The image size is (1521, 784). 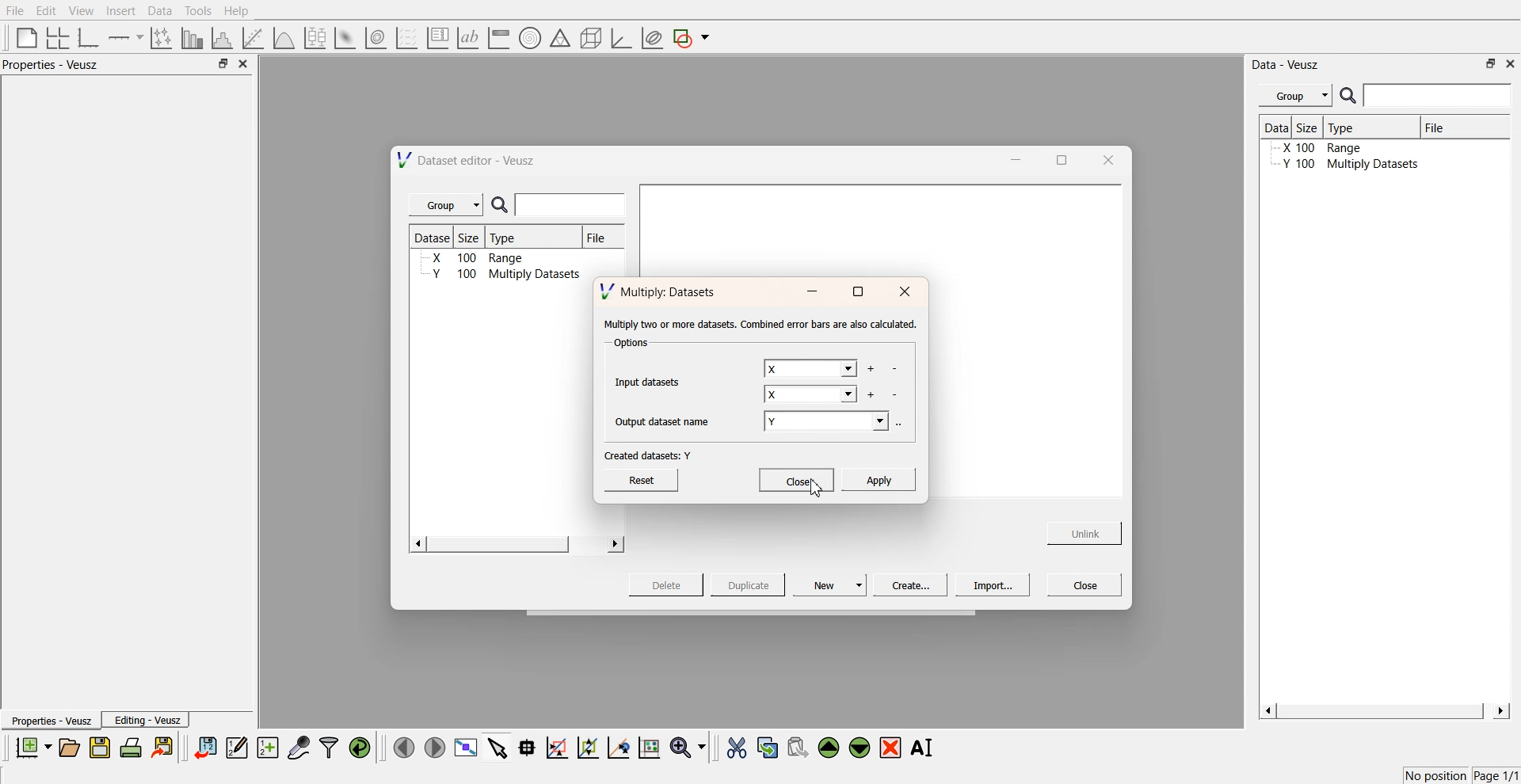 I want to click on plot points with non-orthogonal axes, so click(x=160, y=37).